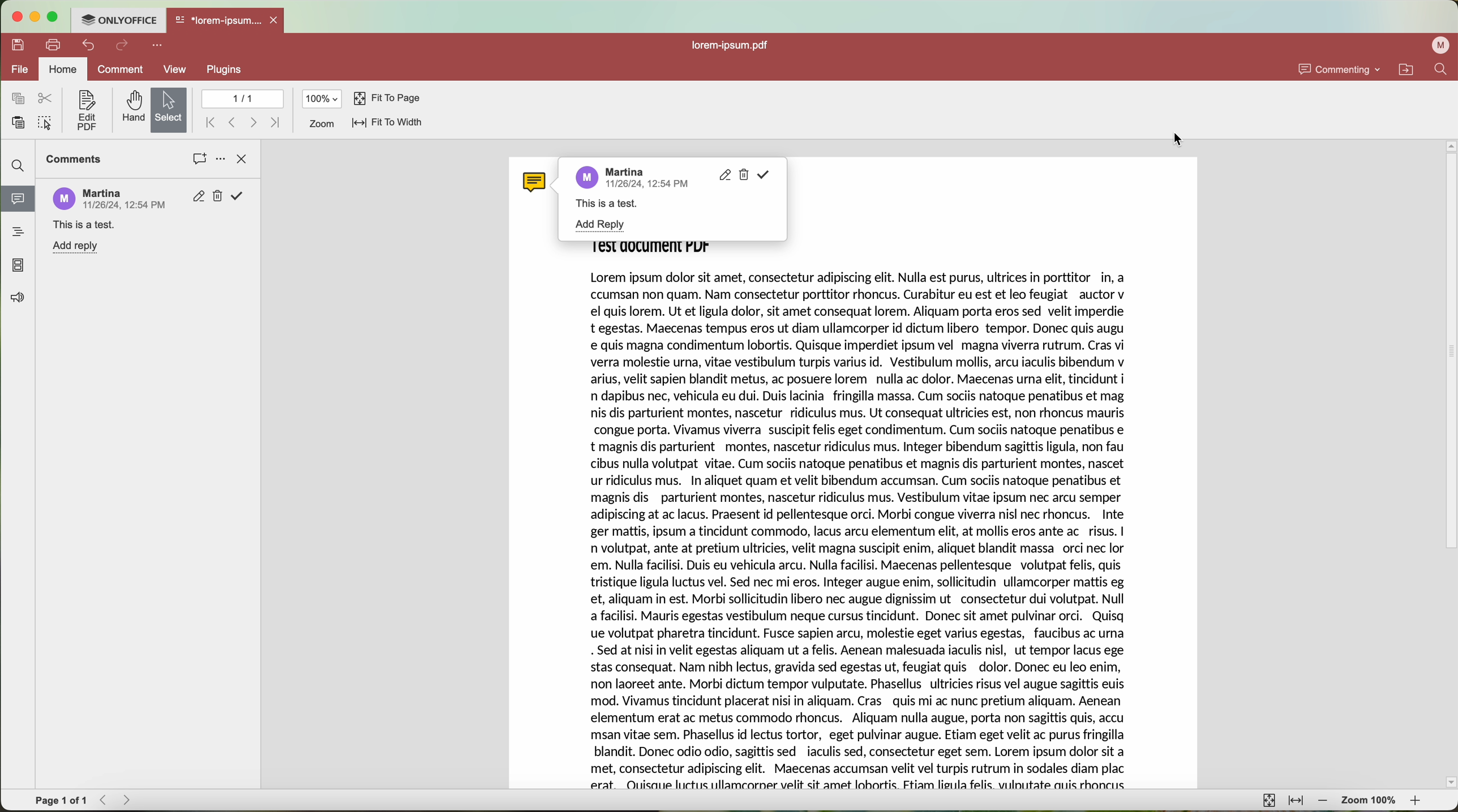 This screenshot has width=1458, height=812. I want to click on scroll bar, so click(1449, 464).